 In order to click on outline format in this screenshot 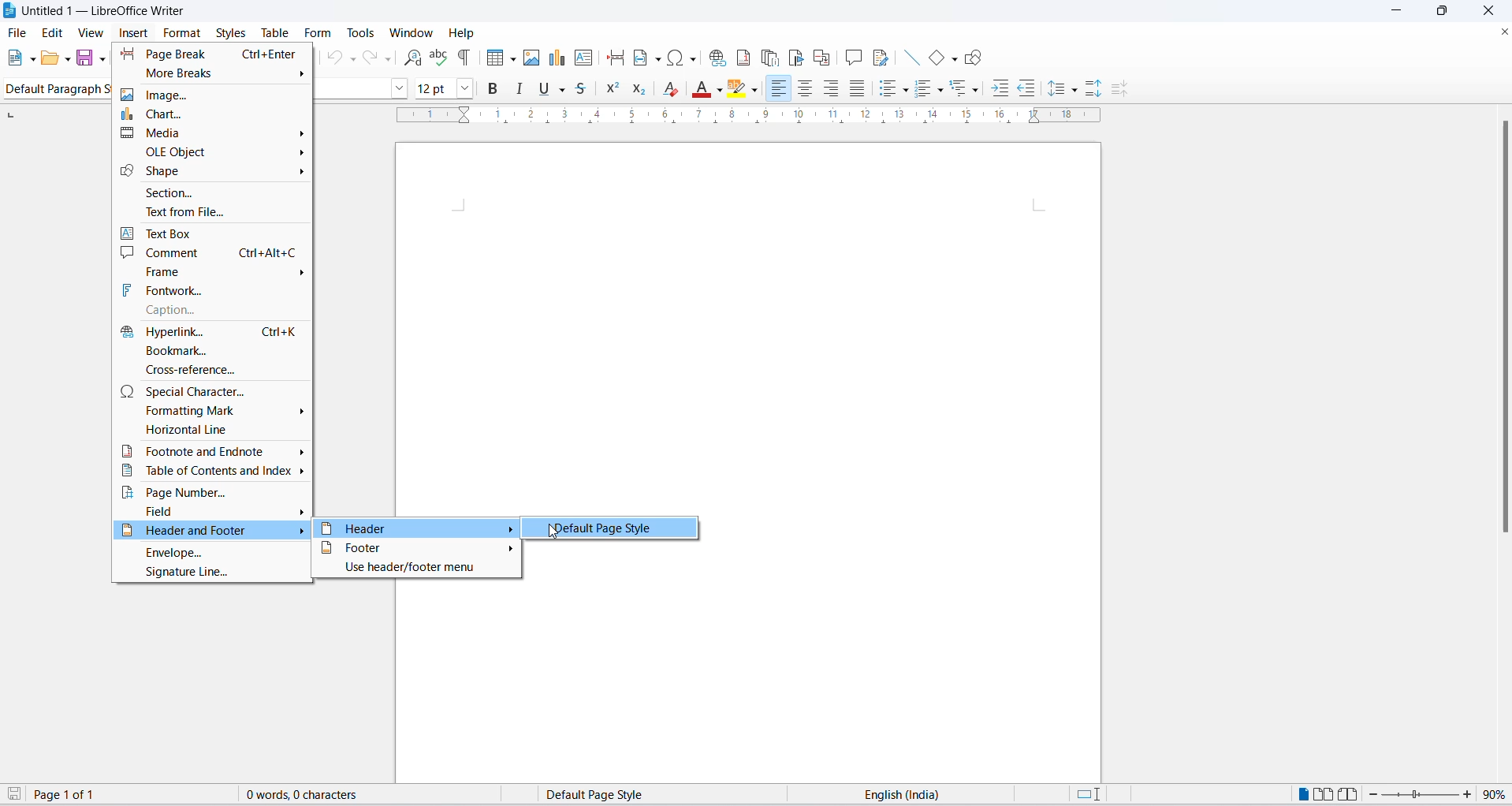, I will do `click(963, 91)`.